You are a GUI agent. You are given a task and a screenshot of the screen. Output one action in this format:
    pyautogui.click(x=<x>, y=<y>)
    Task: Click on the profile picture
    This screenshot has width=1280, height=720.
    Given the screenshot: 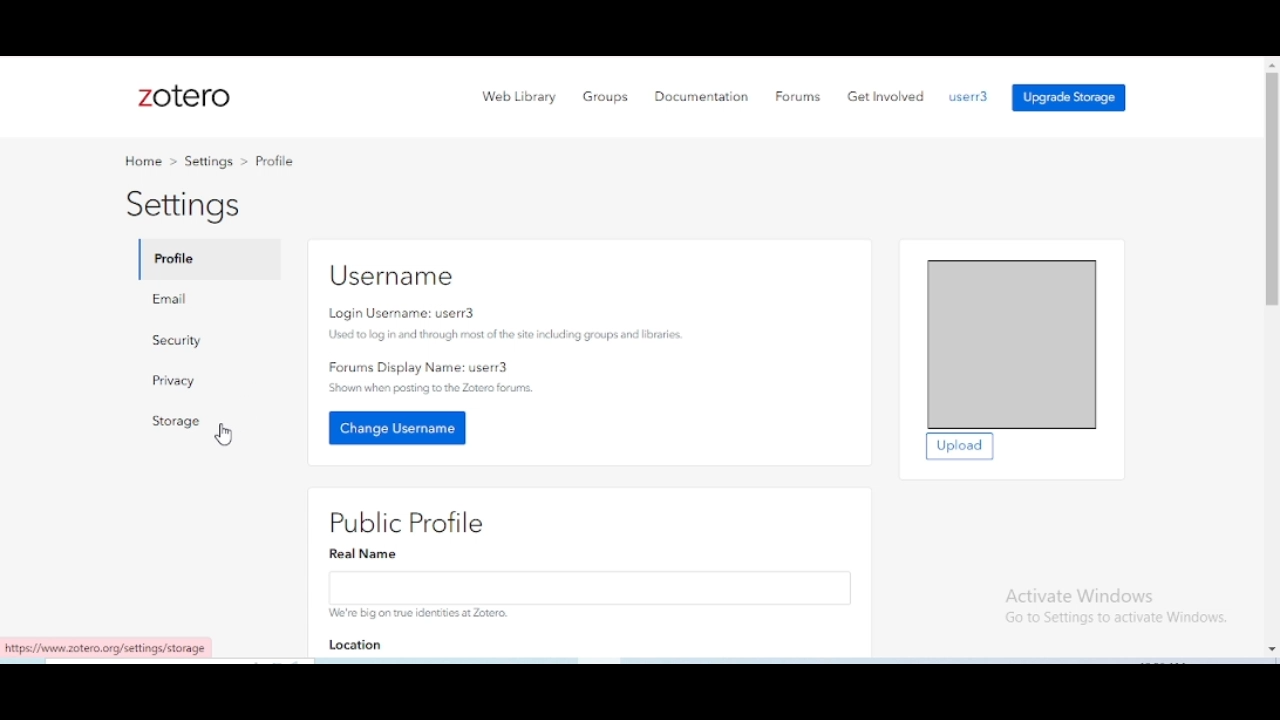 What is the action you would take?
    pyautogui.click(x=1011, y=344)
    